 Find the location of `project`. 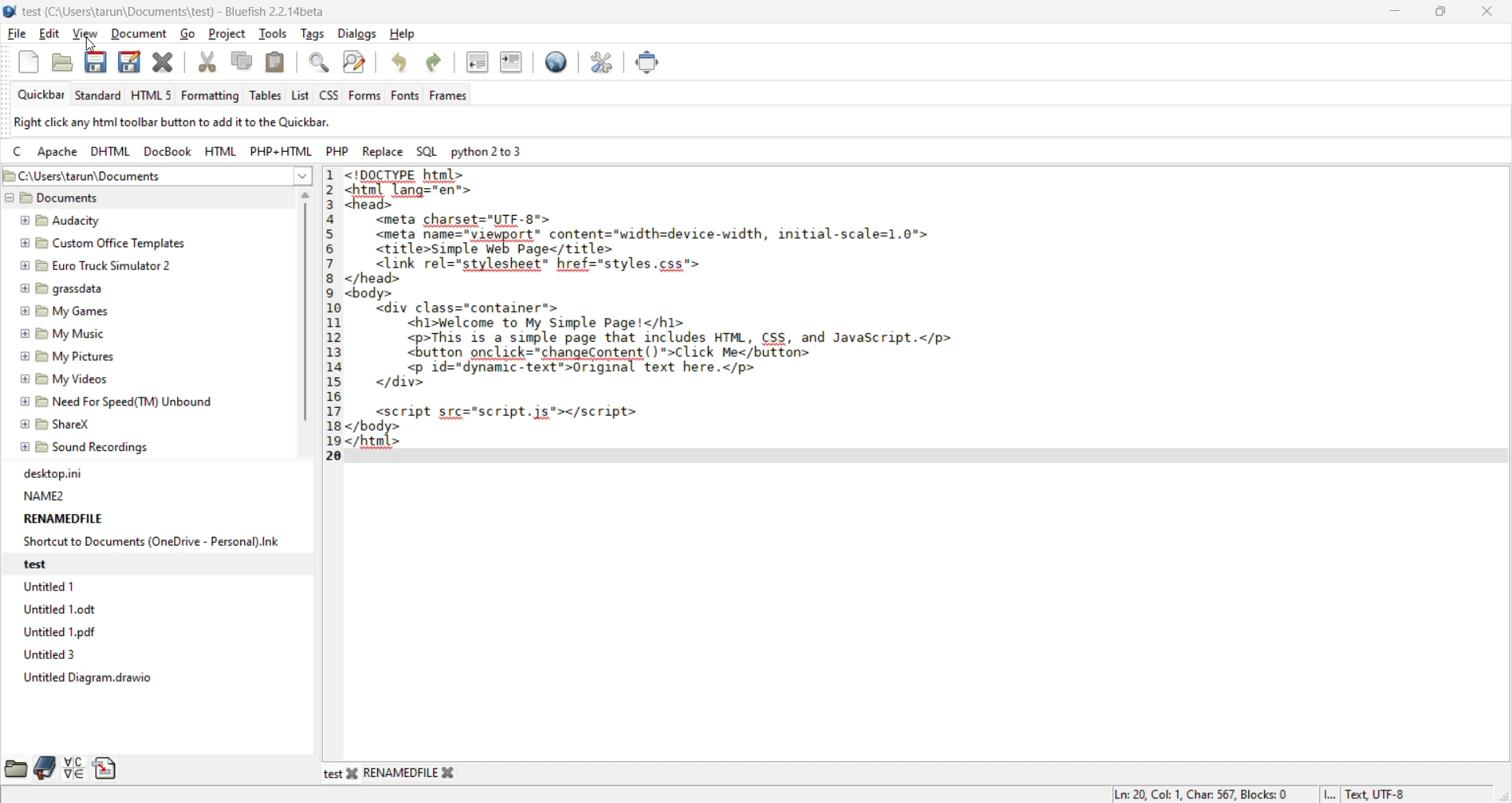

project is located at coordinates (231, 33).